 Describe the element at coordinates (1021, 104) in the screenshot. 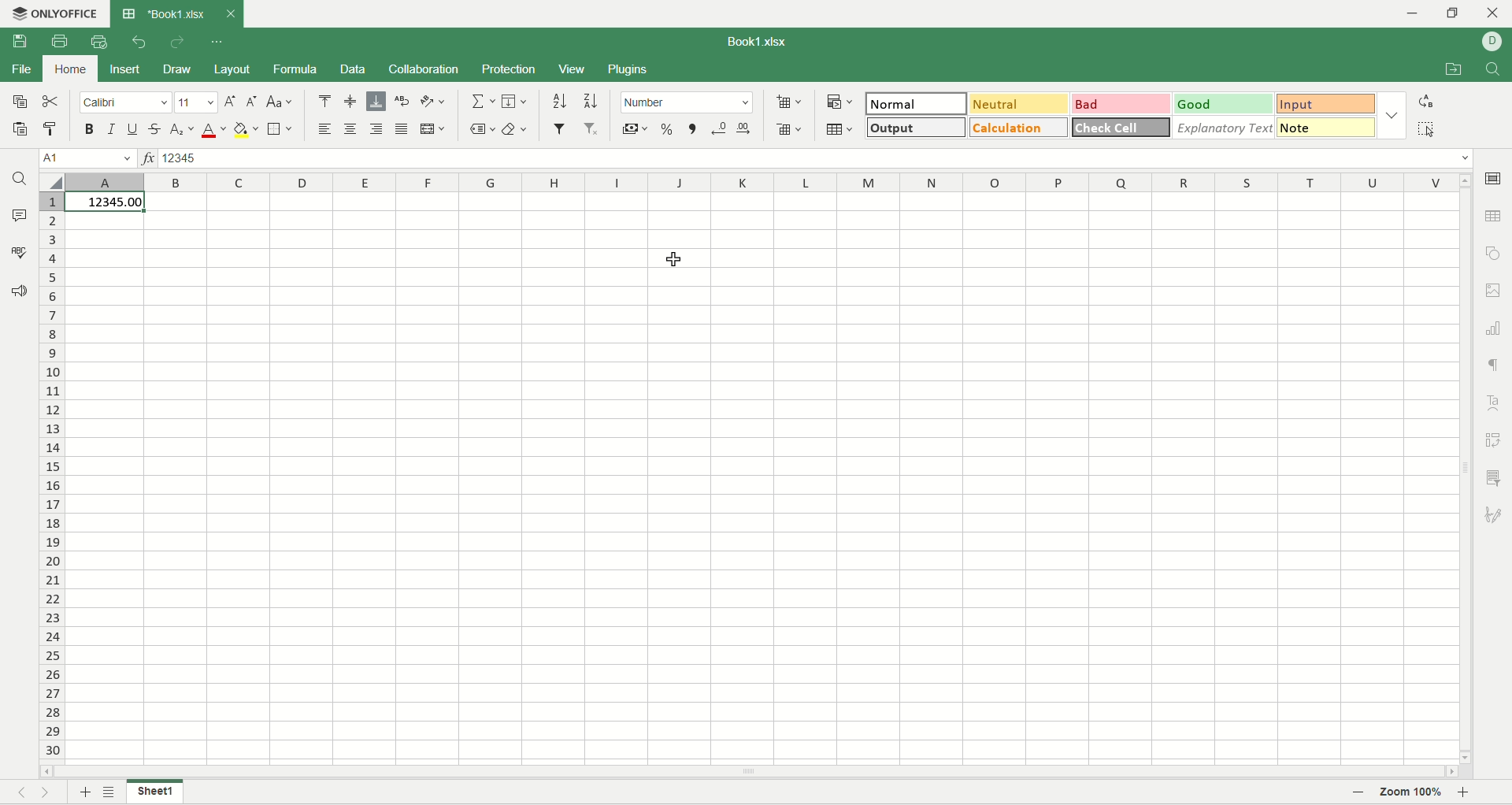

I see `neutral` at that location.